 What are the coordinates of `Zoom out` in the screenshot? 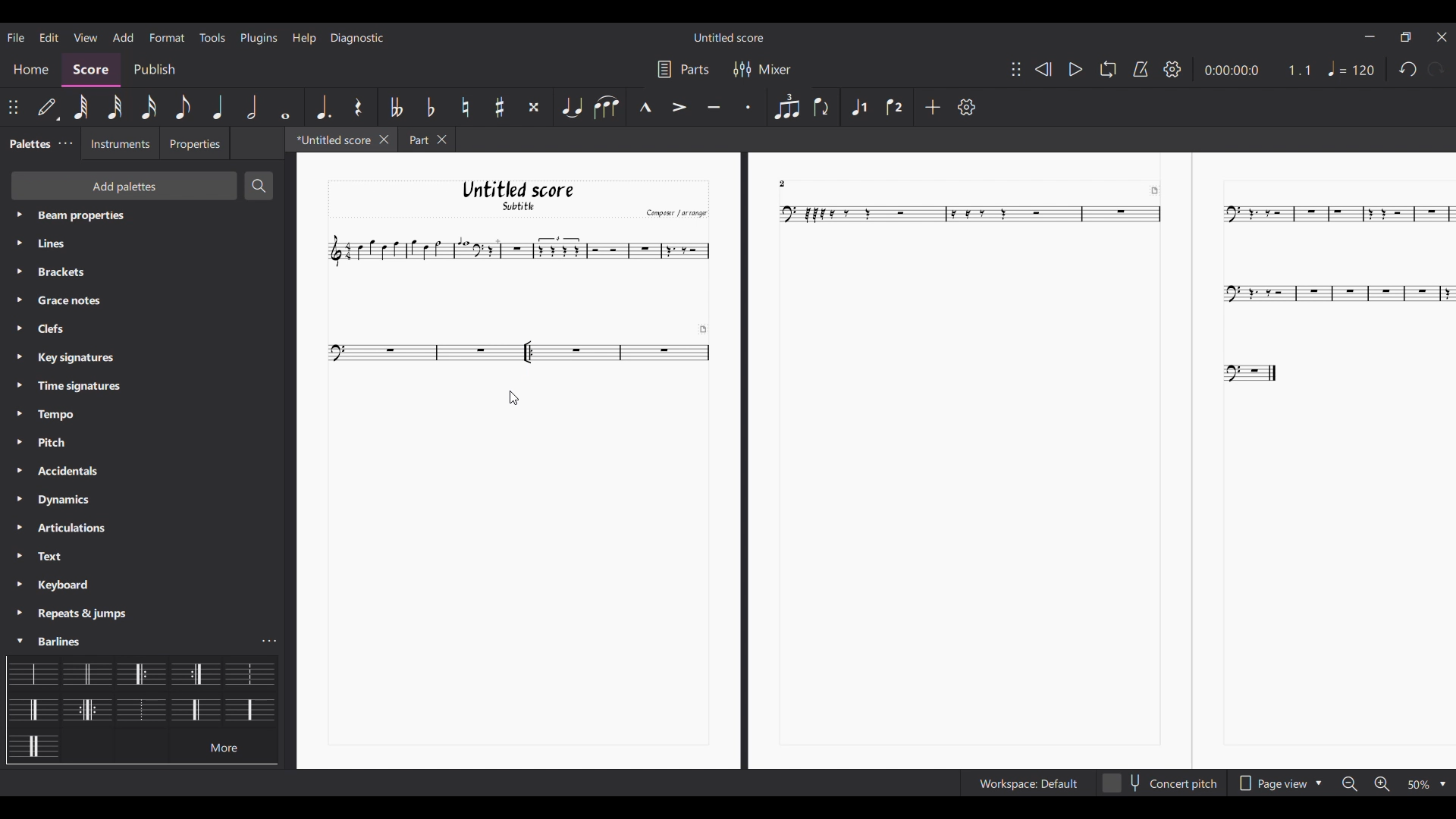 It's located at (1349, 784).